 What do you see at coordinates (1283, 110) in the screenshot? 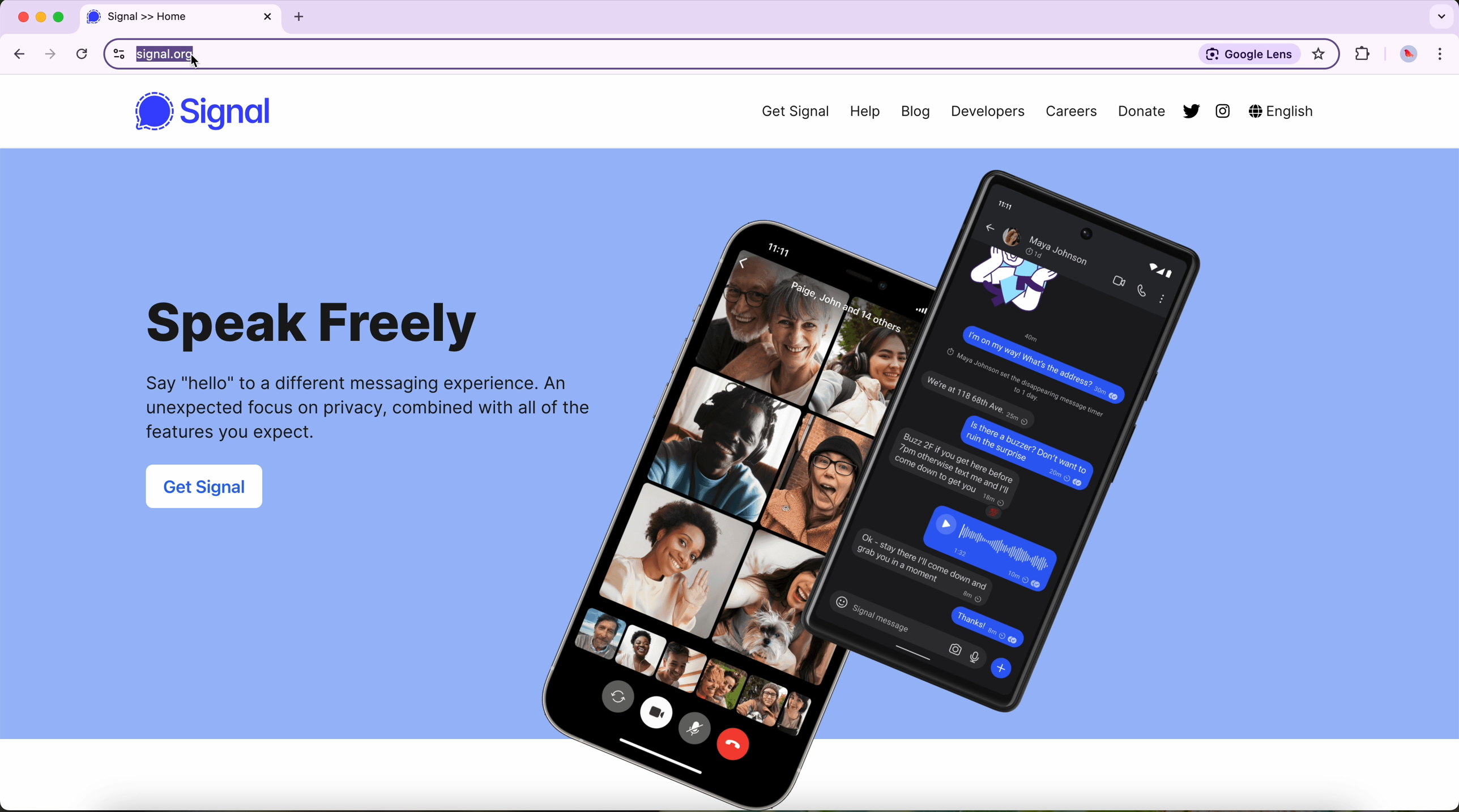
I see `English` at bounding box center [1283, 110].